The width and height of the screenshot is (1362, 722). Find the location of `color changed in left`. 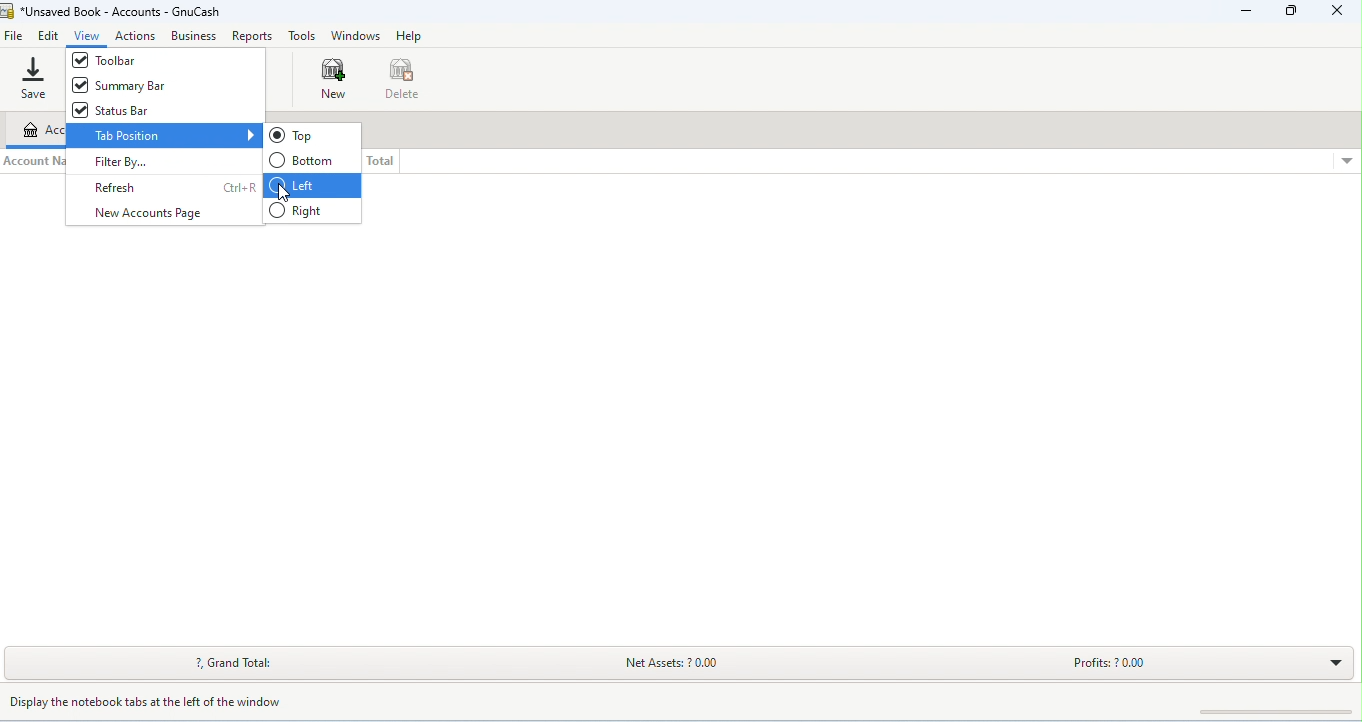

color changed in left is located at coordinates (312, 185).